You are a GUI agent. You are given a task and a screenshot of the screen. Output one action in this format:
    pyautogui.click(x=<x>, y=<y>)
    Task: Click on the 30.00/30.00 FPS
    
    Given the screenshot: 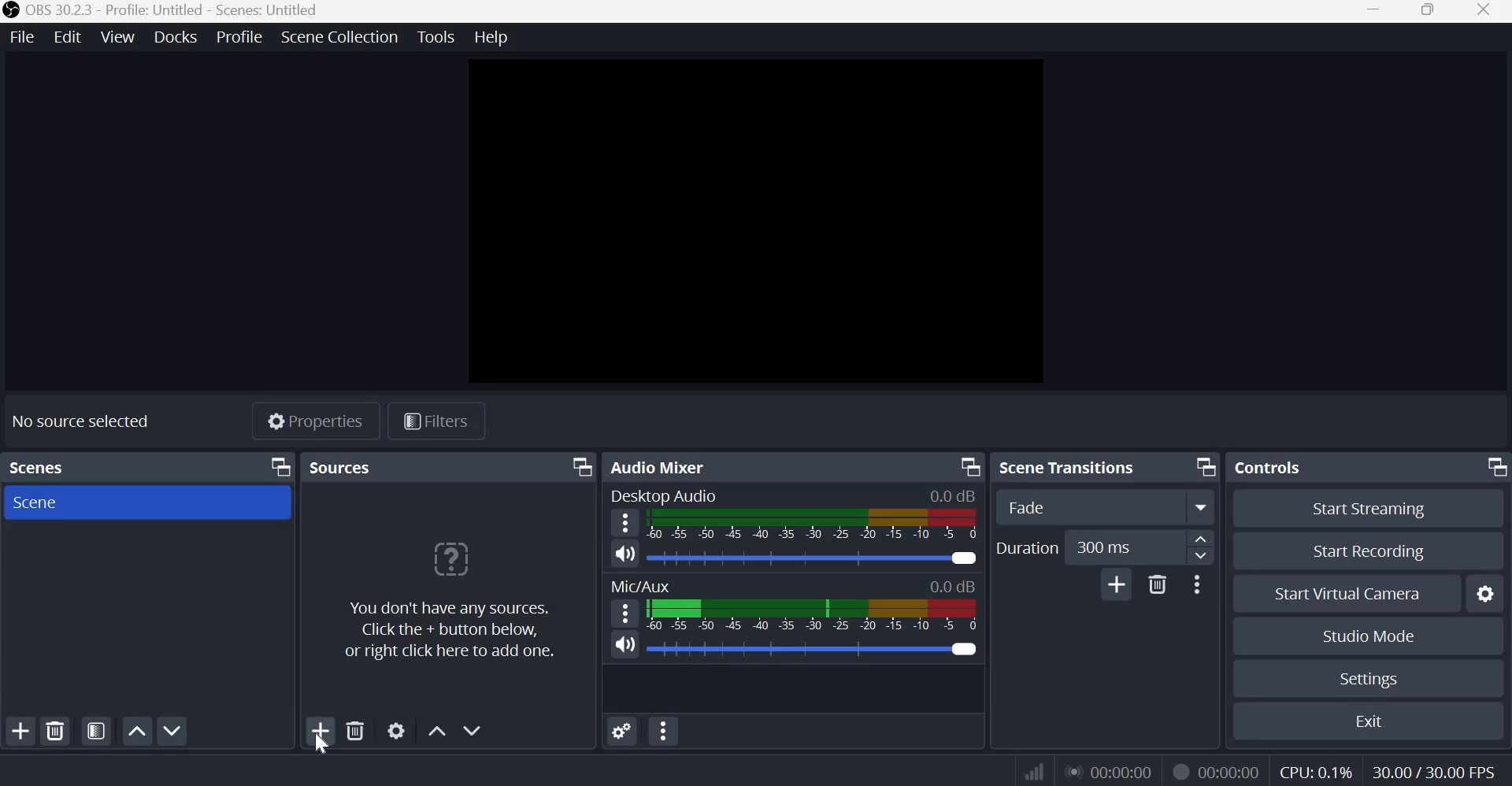 What is the action you would take?
    pyautogui.click(x=1432, y=771)
    